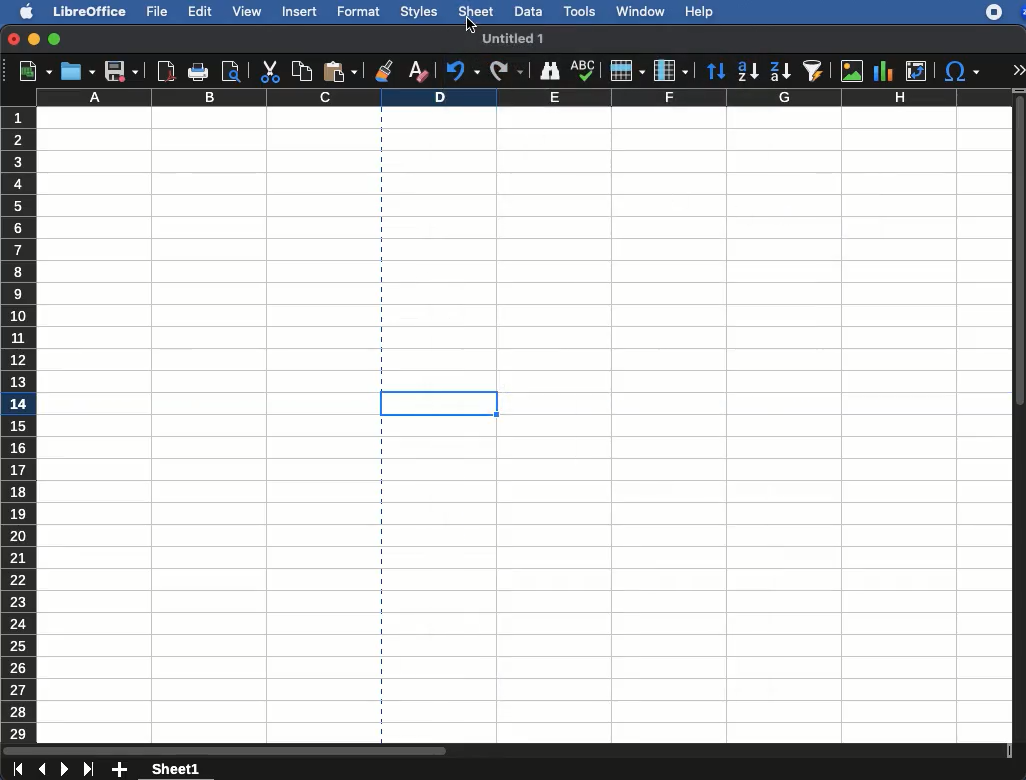 The height and width of the screenshot is (780, 1026). What do you see at coordinates (17, 770) in the screenshot?
I see `last sheet` at bounding box center [17, 770].